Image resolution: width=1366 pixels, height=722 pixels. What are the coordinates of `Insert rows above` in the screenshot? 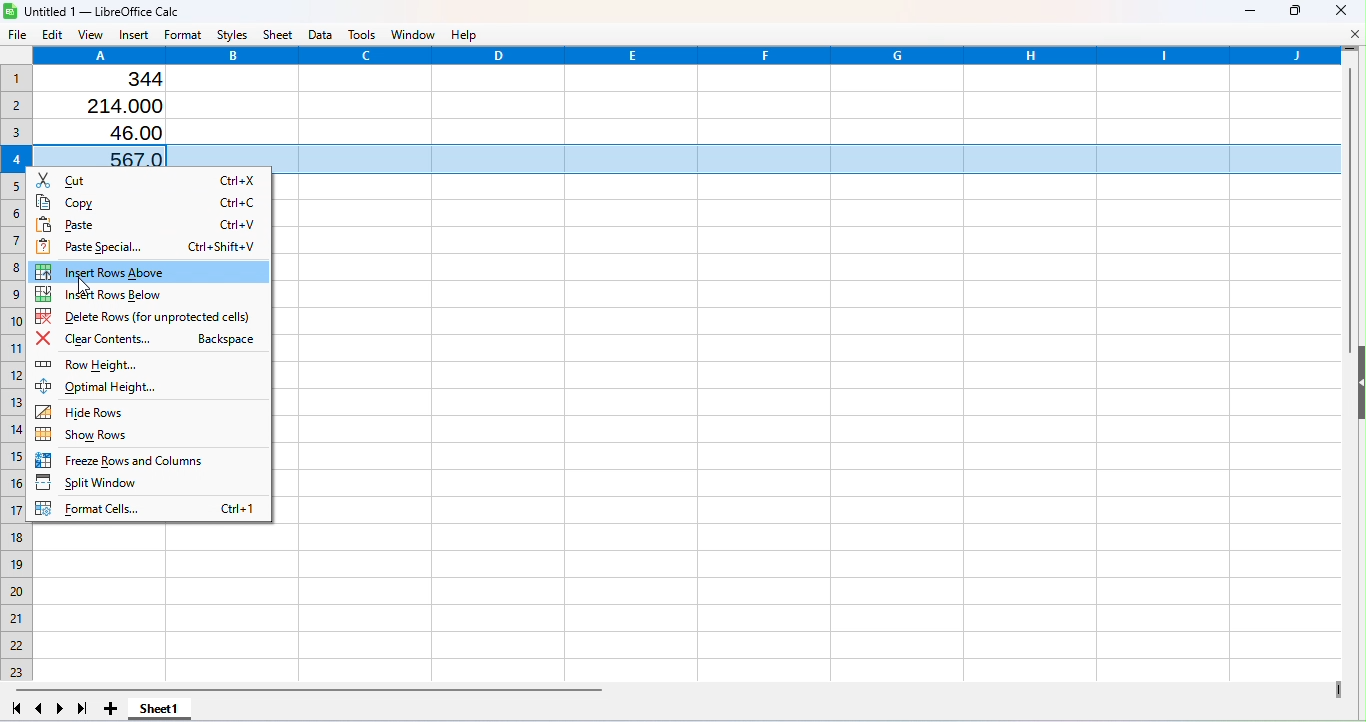 It's located at (149, 272).